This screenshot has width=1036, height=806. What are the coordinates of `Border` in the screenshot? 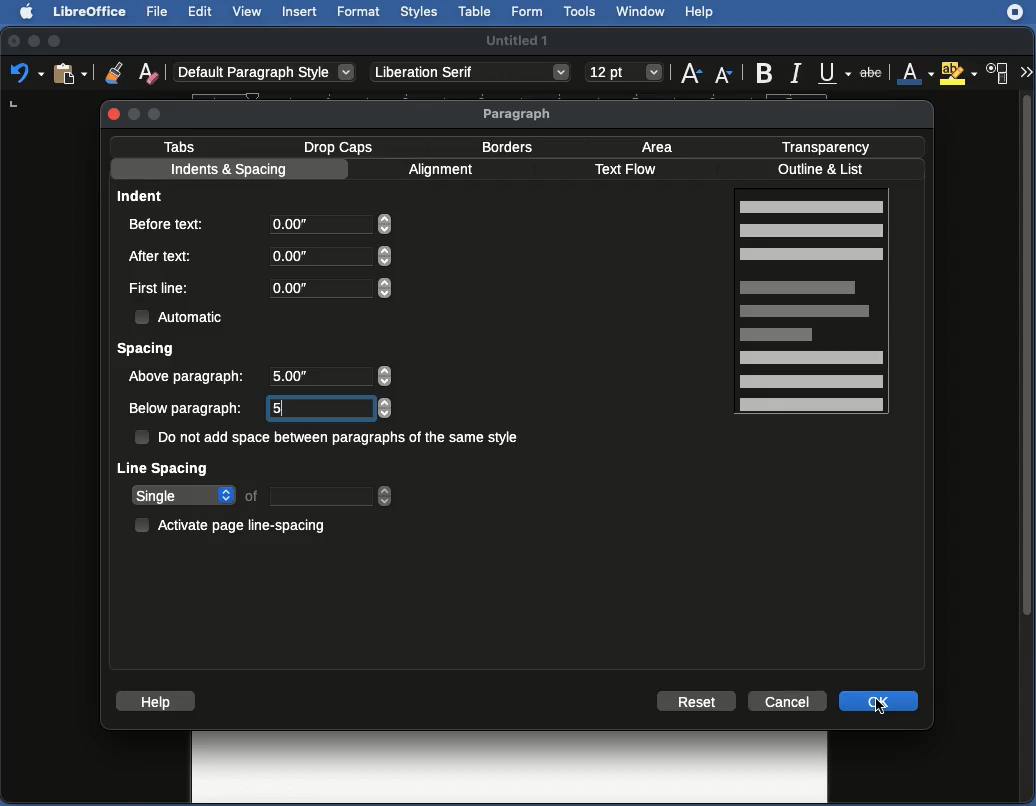 It's located at (508, 147).